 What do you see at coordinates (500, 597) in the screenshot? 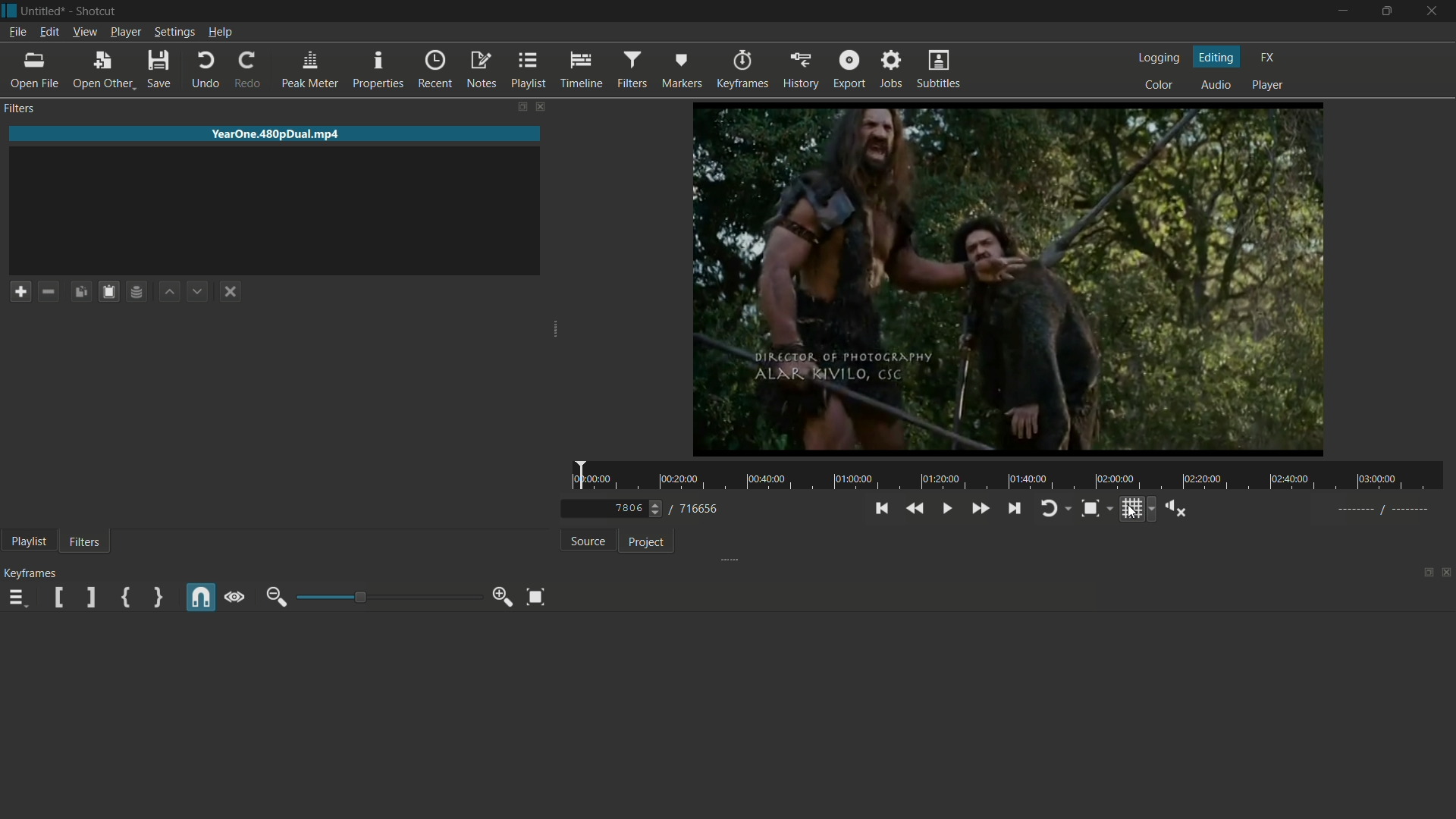
I see `zoom in` at bounding box center [500, 597].